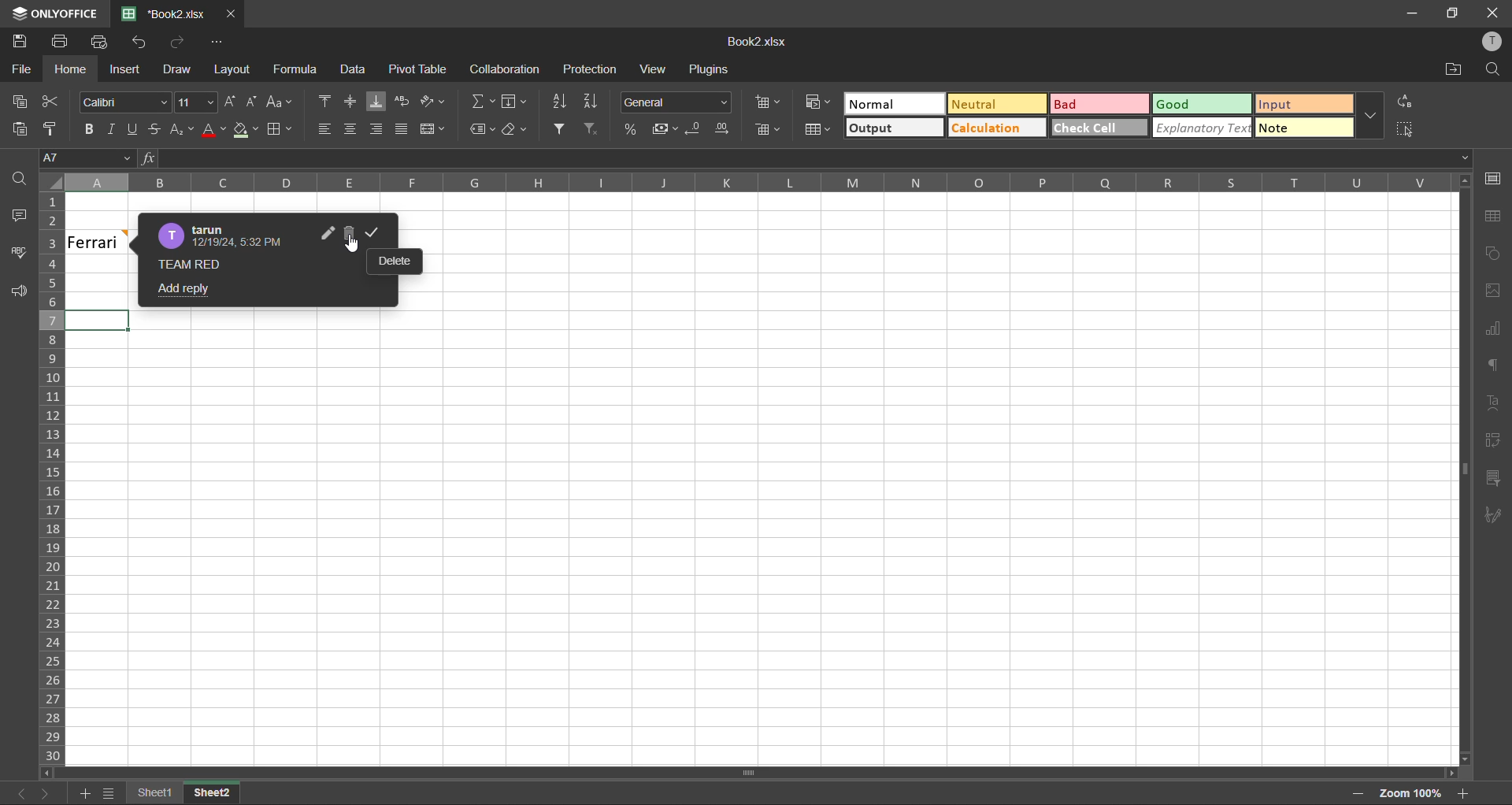  What do you see at coordinates (1301, 128) in the screenshot?
I see `note` at bounding box center [1301, 128].